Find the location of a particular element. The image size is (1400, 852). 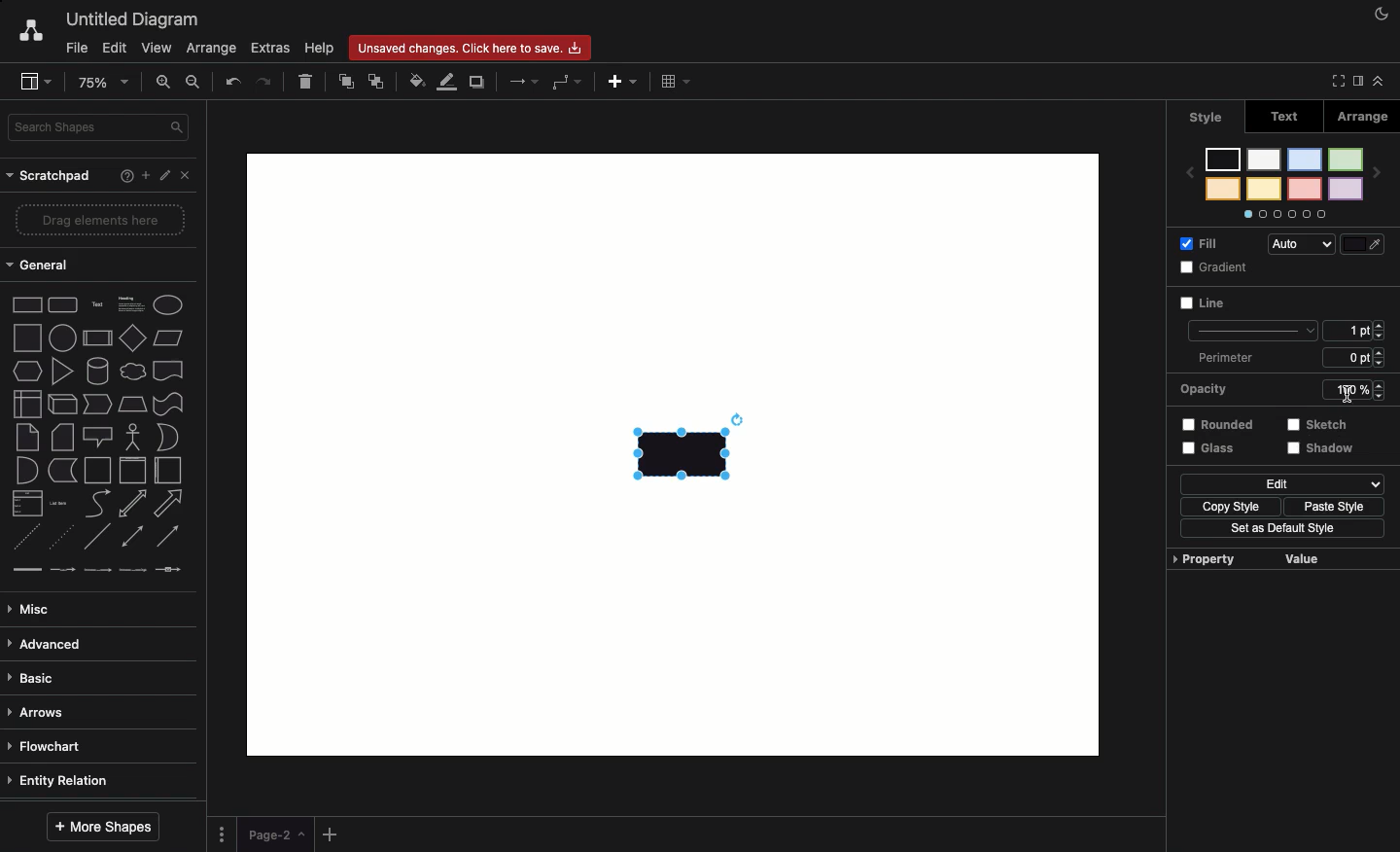

Rounded rectangle is located at coordinates (65, 306).